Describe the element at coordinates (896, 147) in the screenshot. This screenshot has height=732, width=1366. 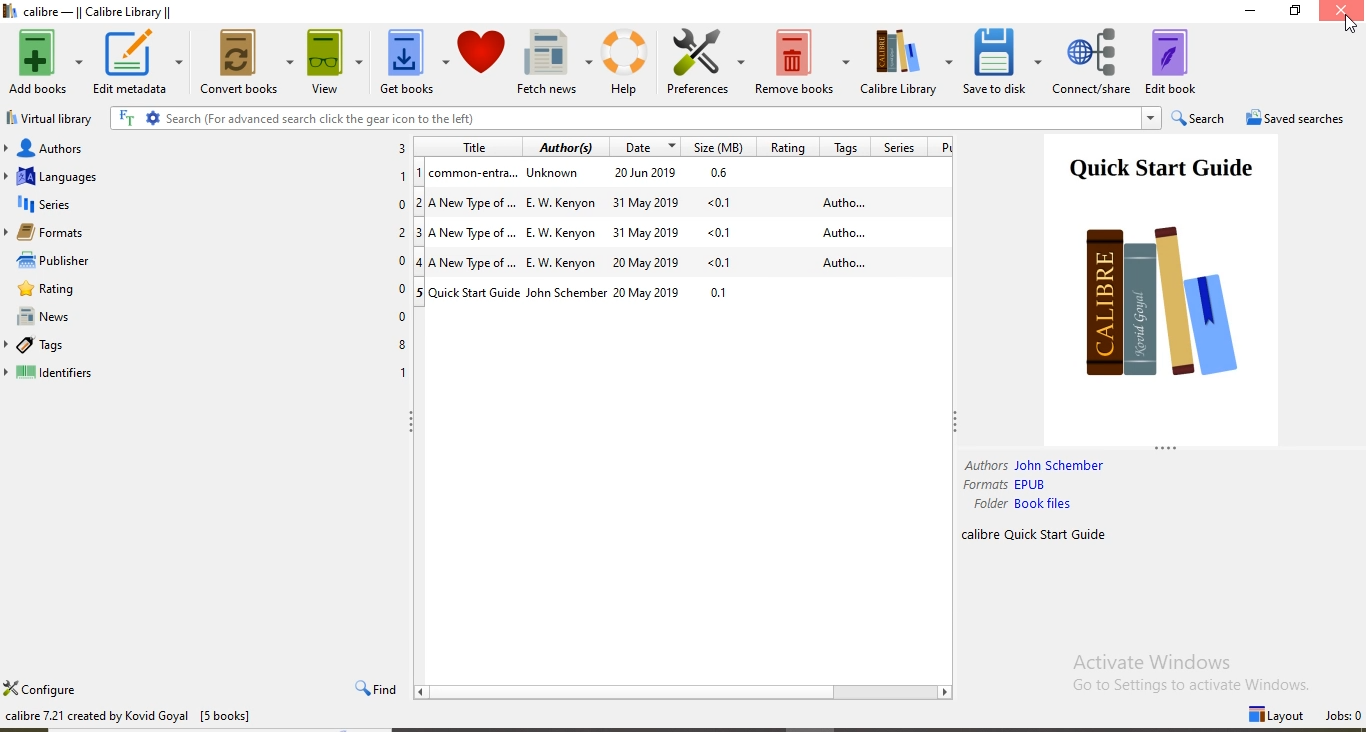
I see `Series` at that location.